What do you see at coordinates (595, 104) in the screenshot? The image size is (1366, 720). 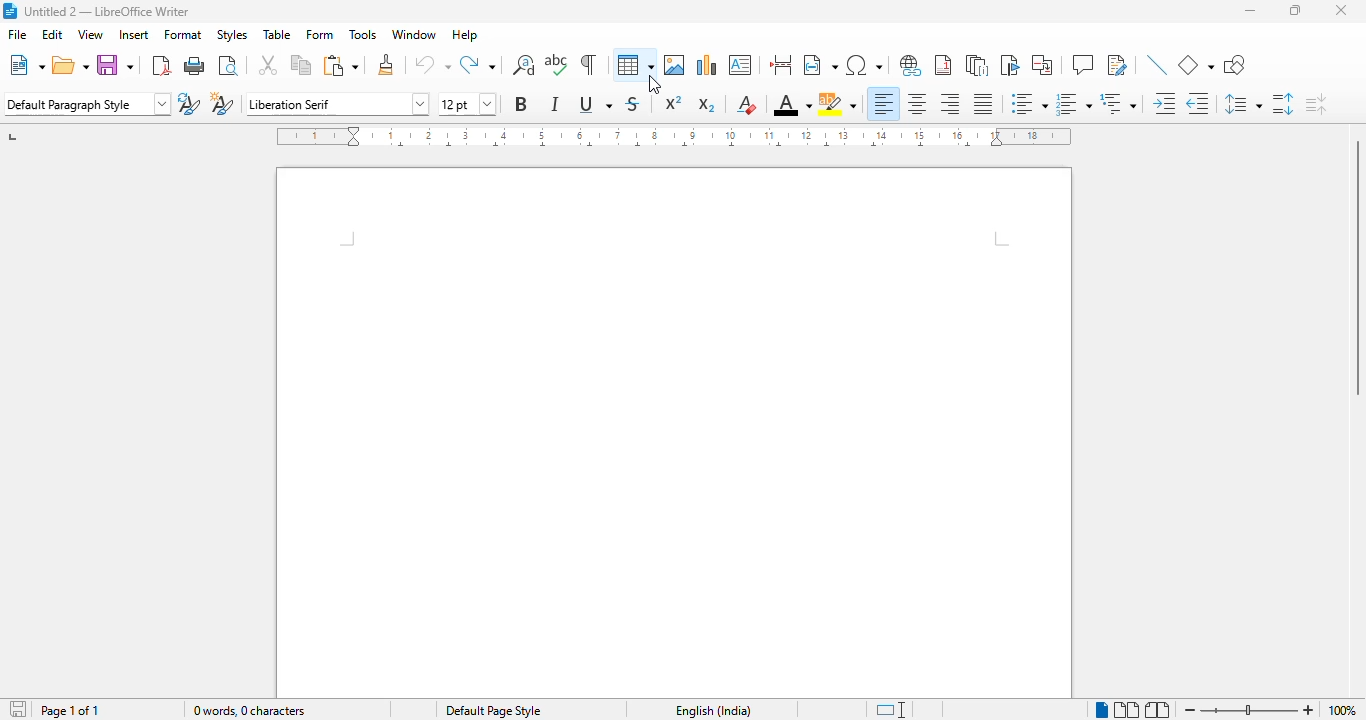 I see `underline` at bounding box center [595, 104].